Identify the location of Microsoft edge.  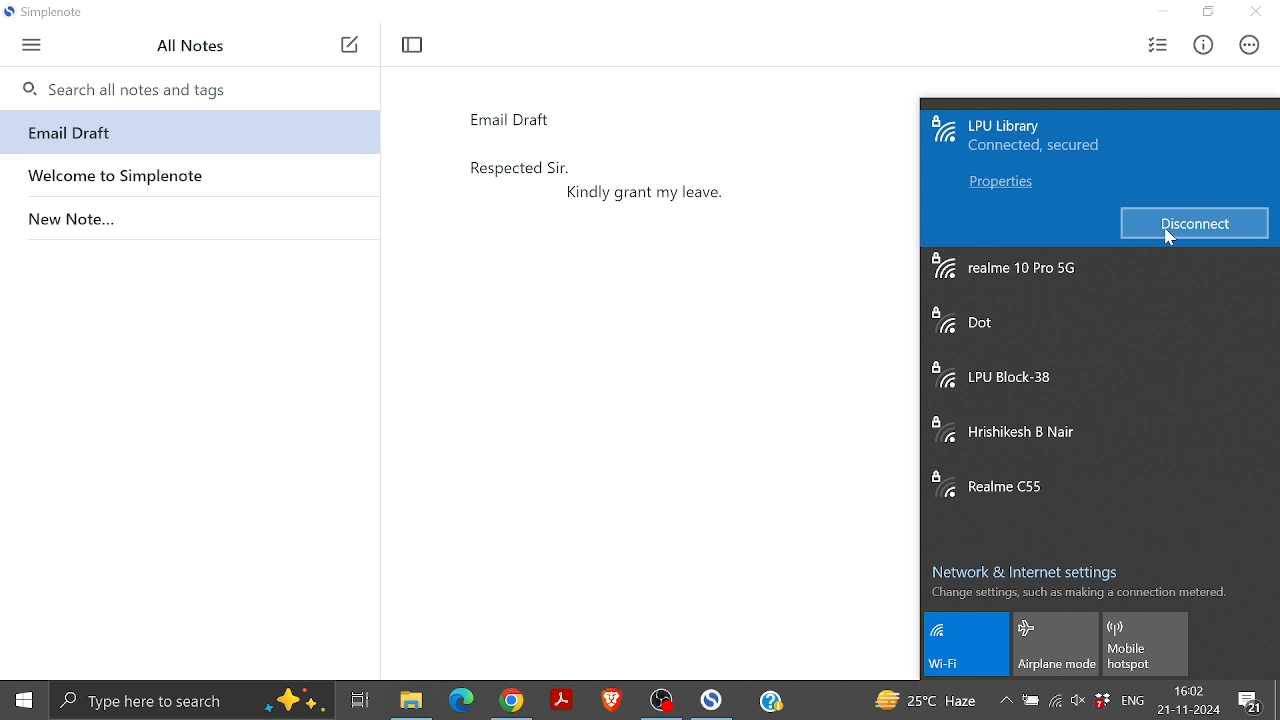
(461, 700).